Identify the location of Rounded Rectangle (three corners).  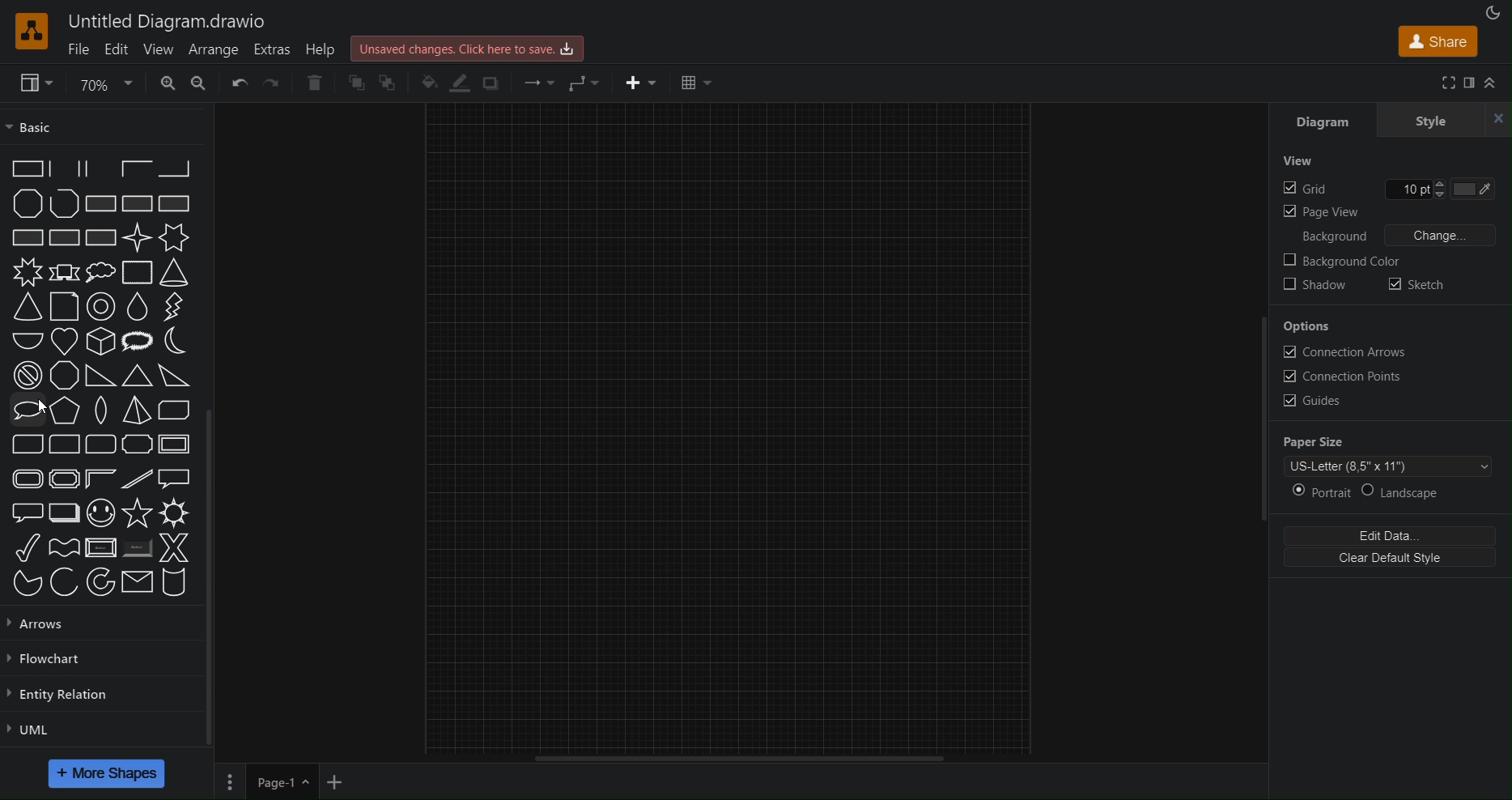
(101, 444).